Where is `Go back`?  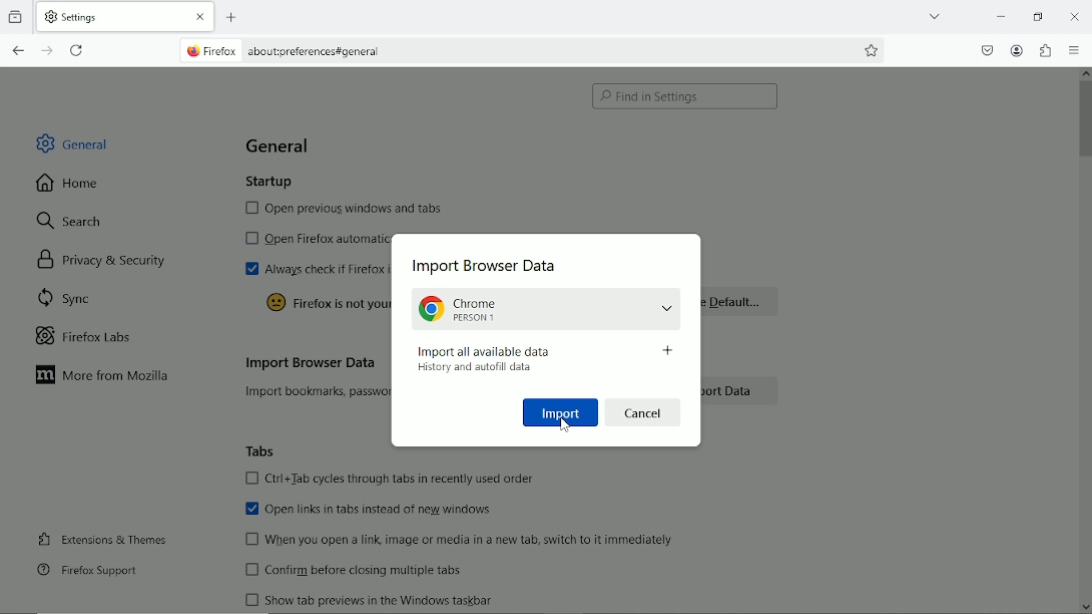 Go back is located at coordinates (15, 50).